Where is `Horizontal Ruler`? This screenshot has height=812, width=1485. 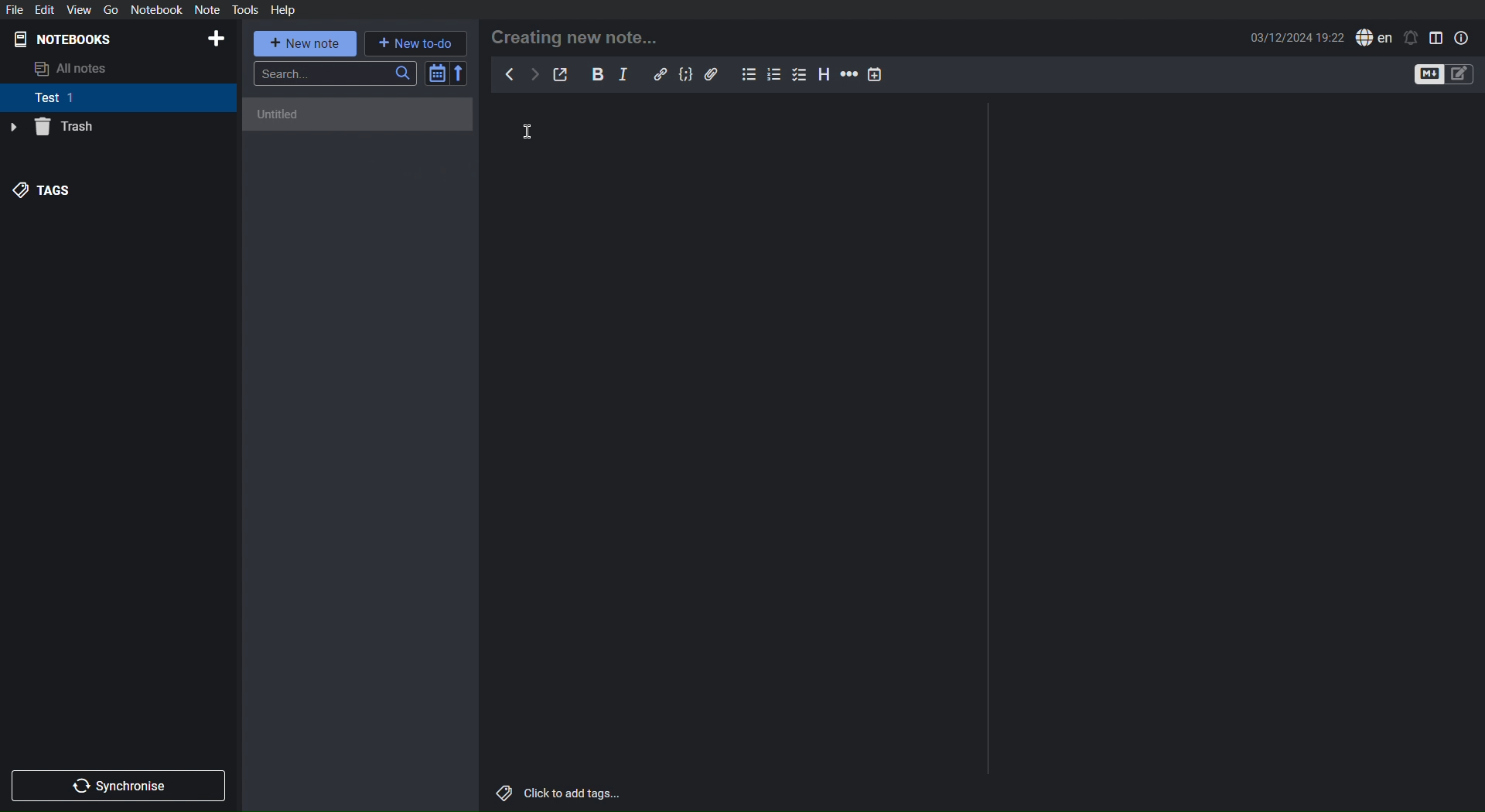 Horizontal Ruler is located at coordinates (848, 75).